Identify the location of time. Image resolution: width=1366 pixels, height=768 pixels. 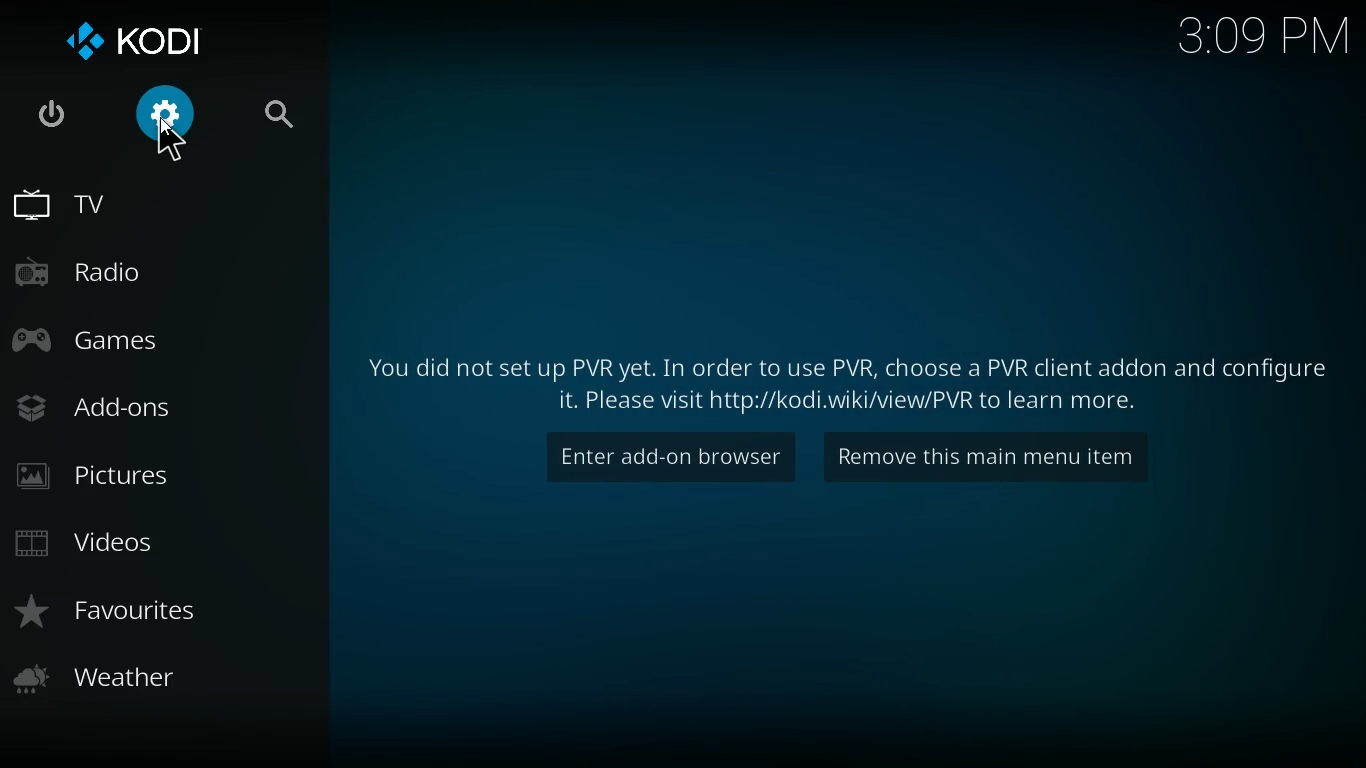
(1258, 38).